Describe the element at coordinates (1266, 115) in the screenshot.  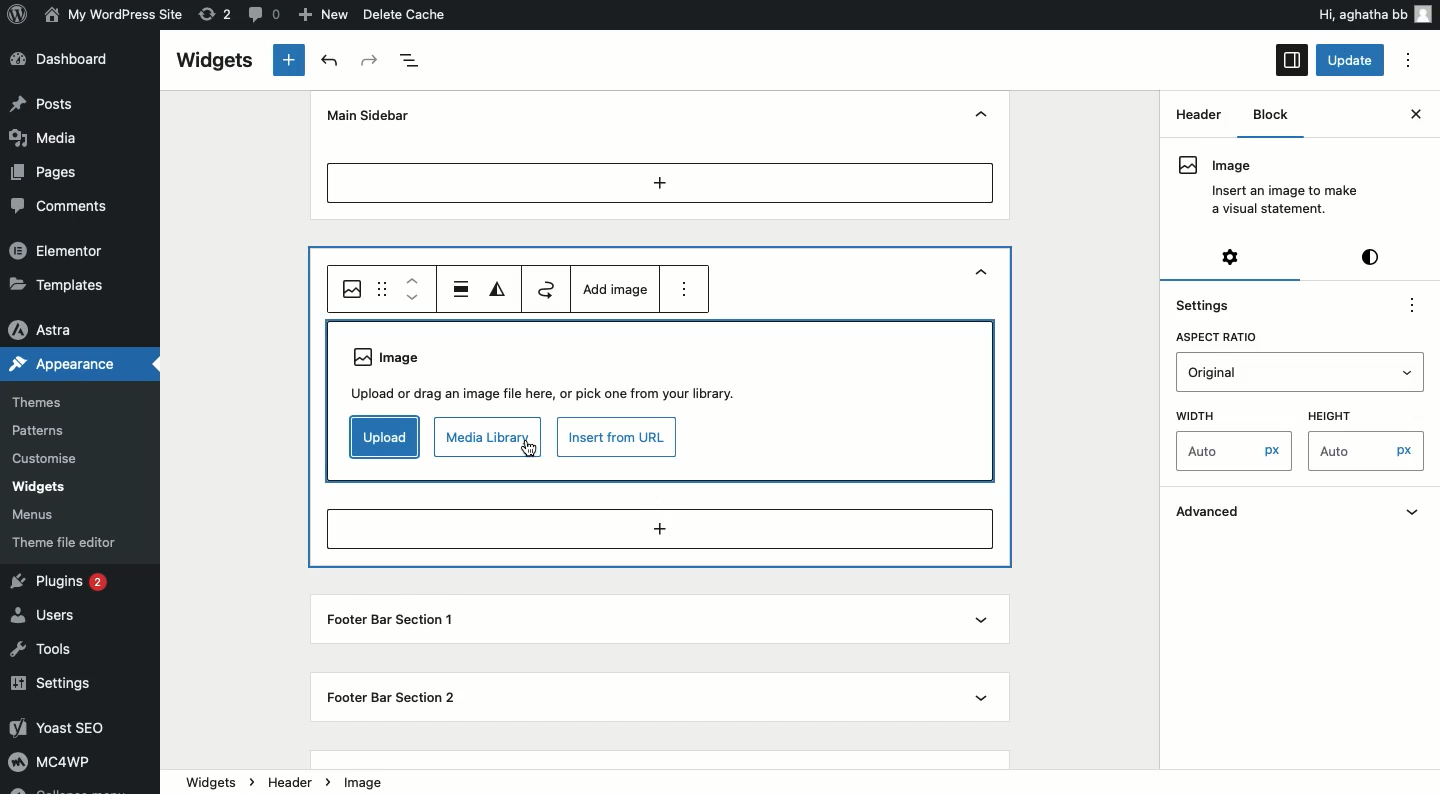
I see `Block` at that location.